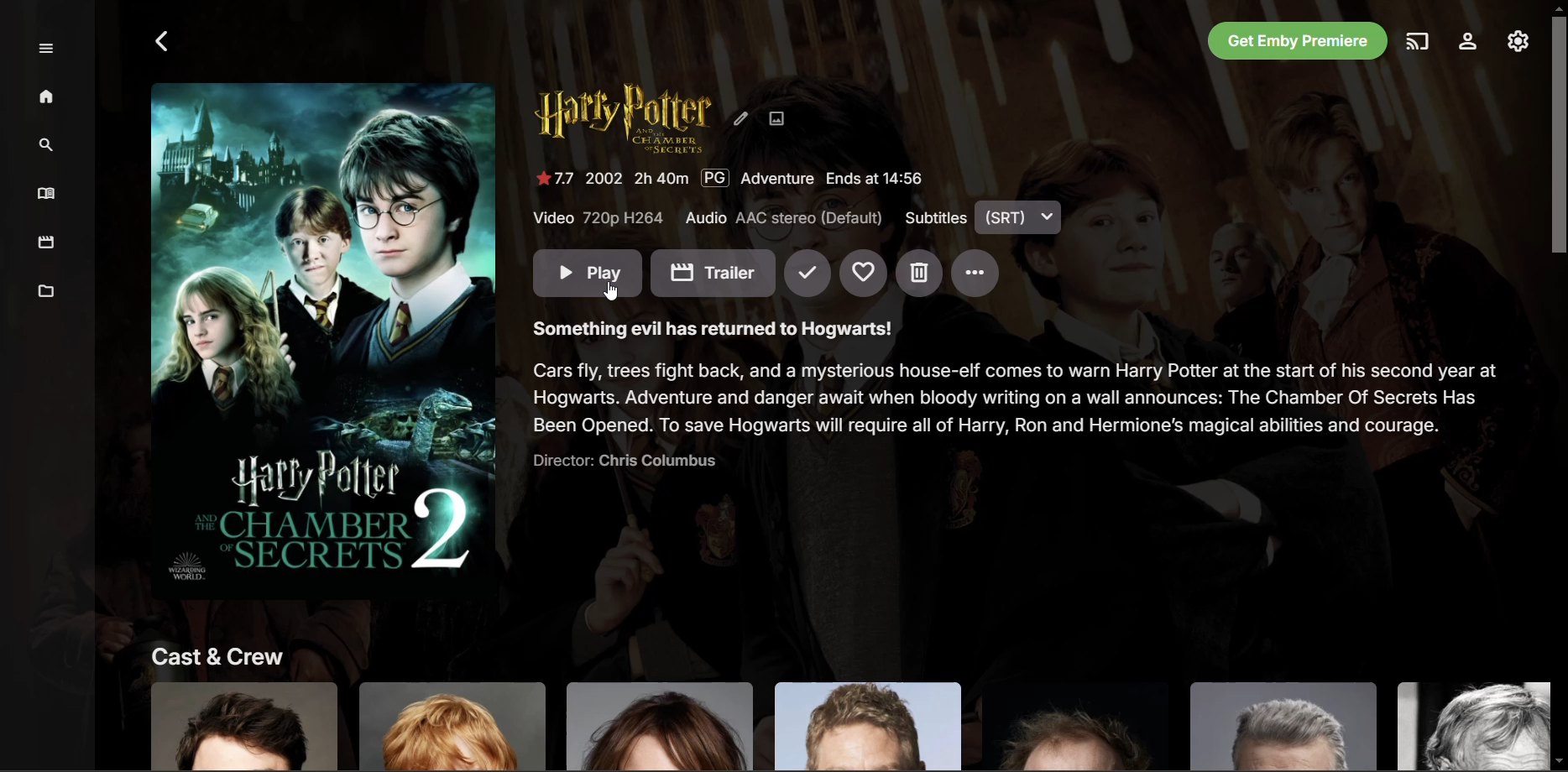 This screenshot has width=1568, height=772. I want to click on Search, so click(48, 144).